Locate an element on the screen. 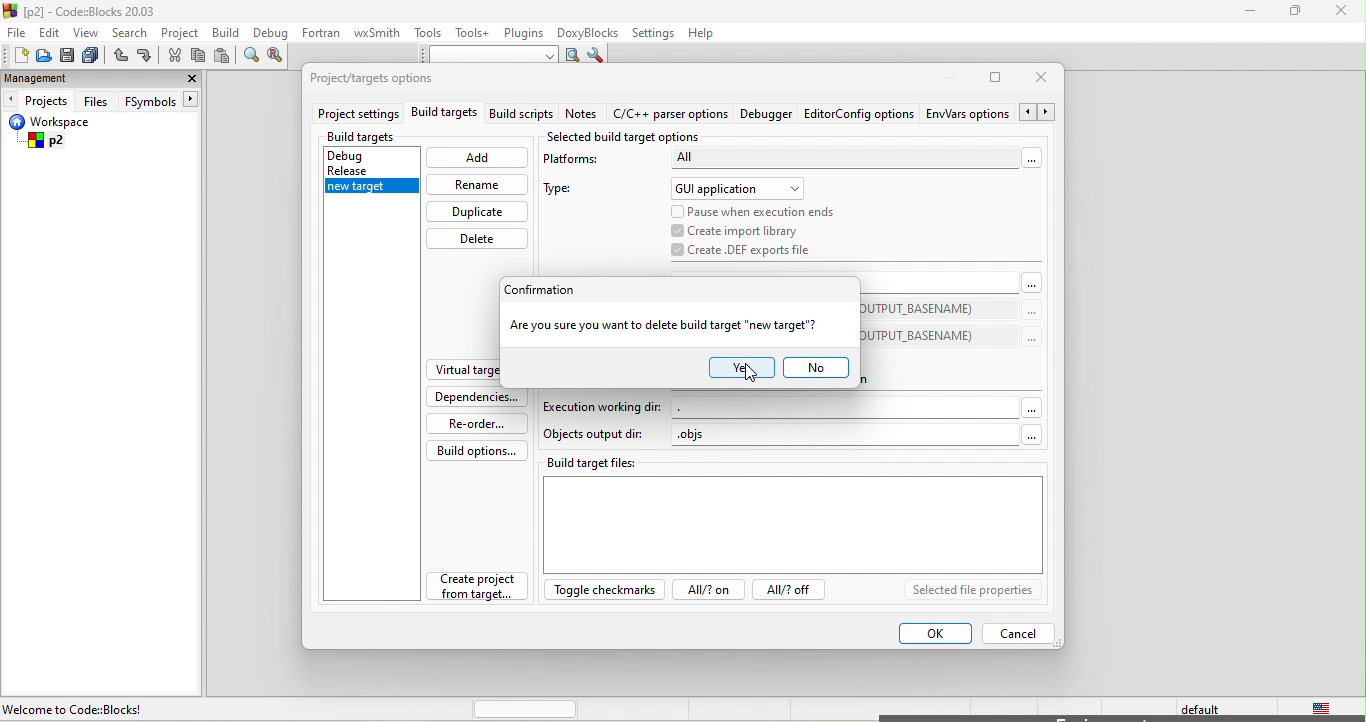  build target files is located at coordinates (795, 513).